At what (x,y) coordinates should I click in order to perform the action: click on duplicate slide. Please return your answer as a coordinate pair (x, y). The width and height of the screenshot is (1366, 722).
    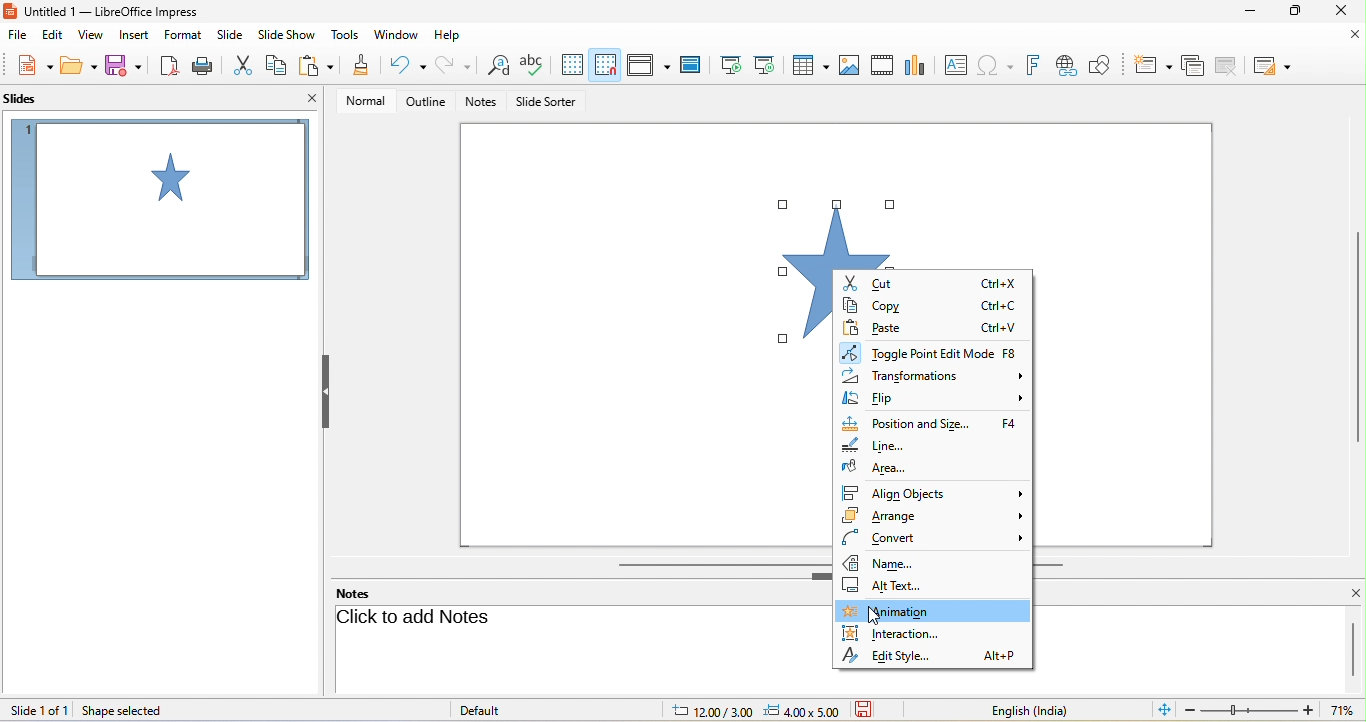
    Looking at the image, I should click on (1226, 67).